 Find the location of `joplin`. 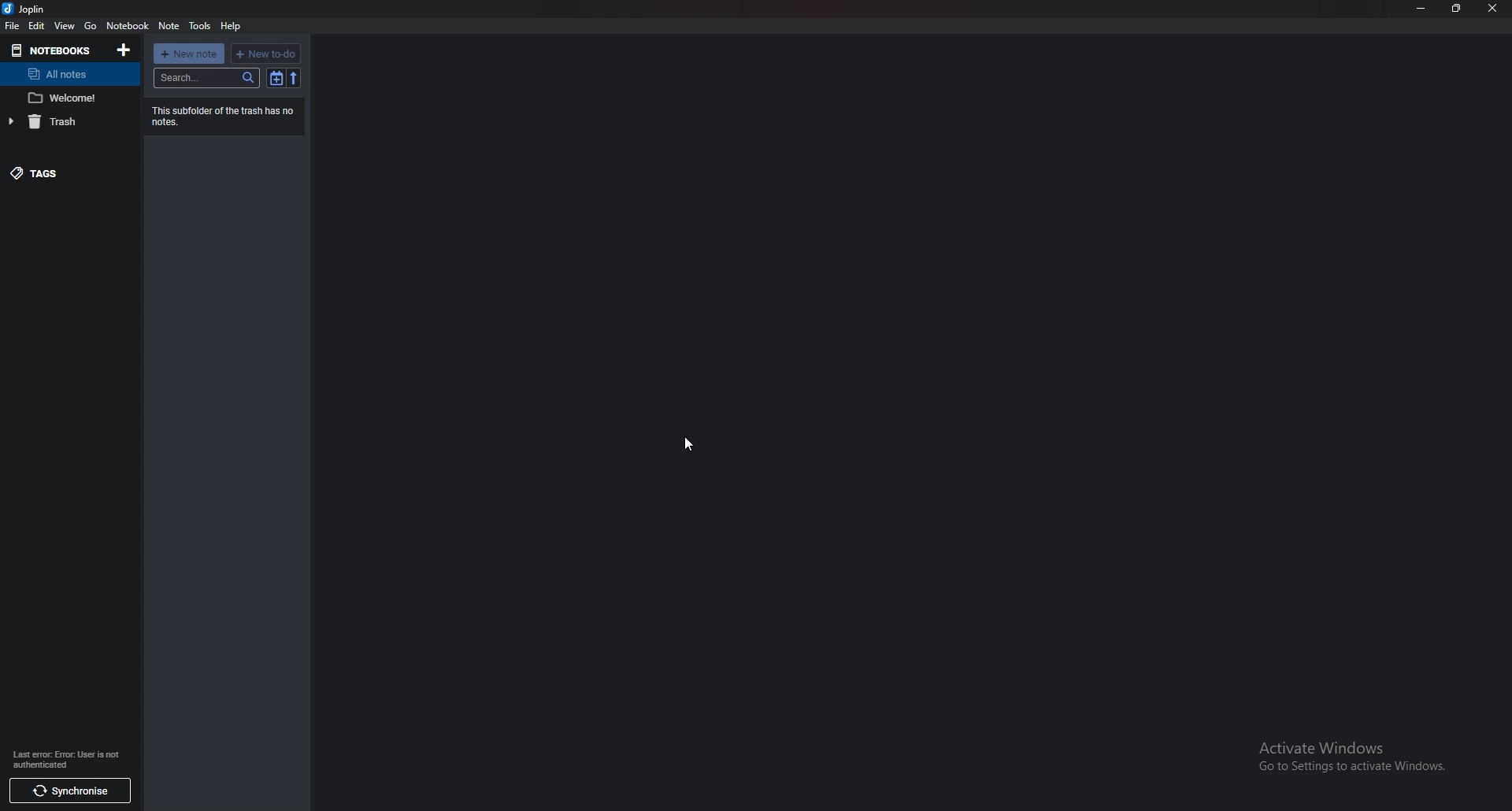

joplin is located at coordinates (27, 9).